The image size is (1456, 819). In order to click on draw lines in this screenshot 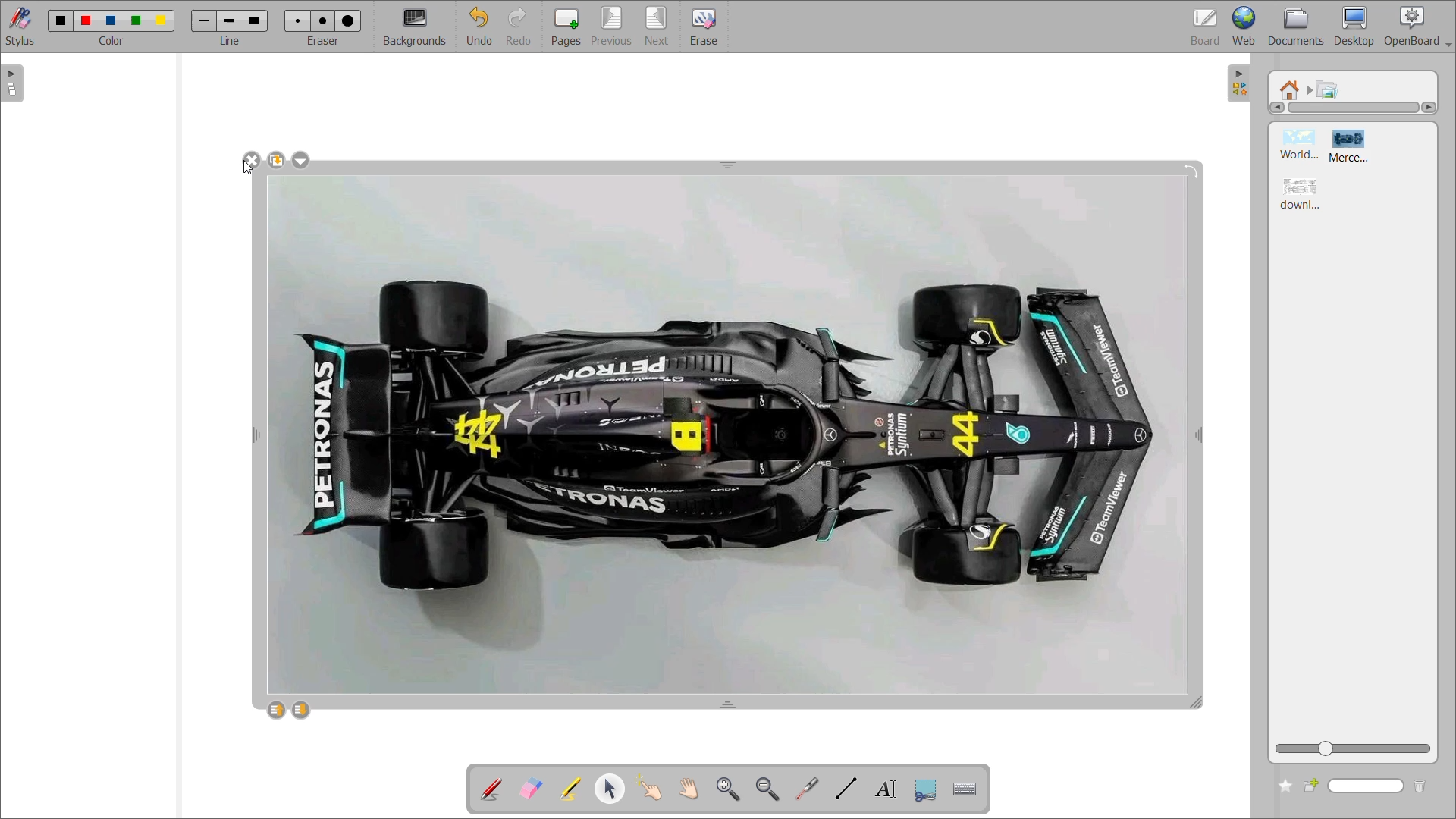, I will do `click(849, 788)`.